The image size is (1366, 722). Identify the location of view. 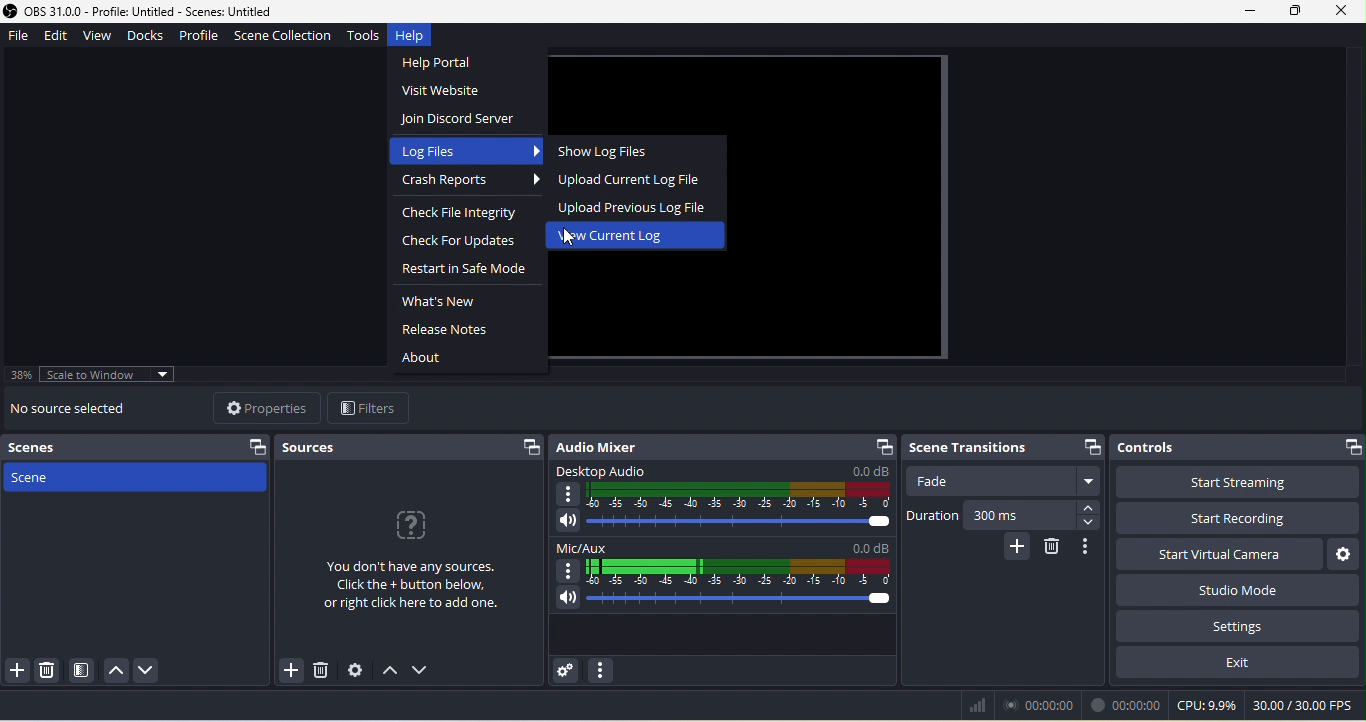
(101, 37).